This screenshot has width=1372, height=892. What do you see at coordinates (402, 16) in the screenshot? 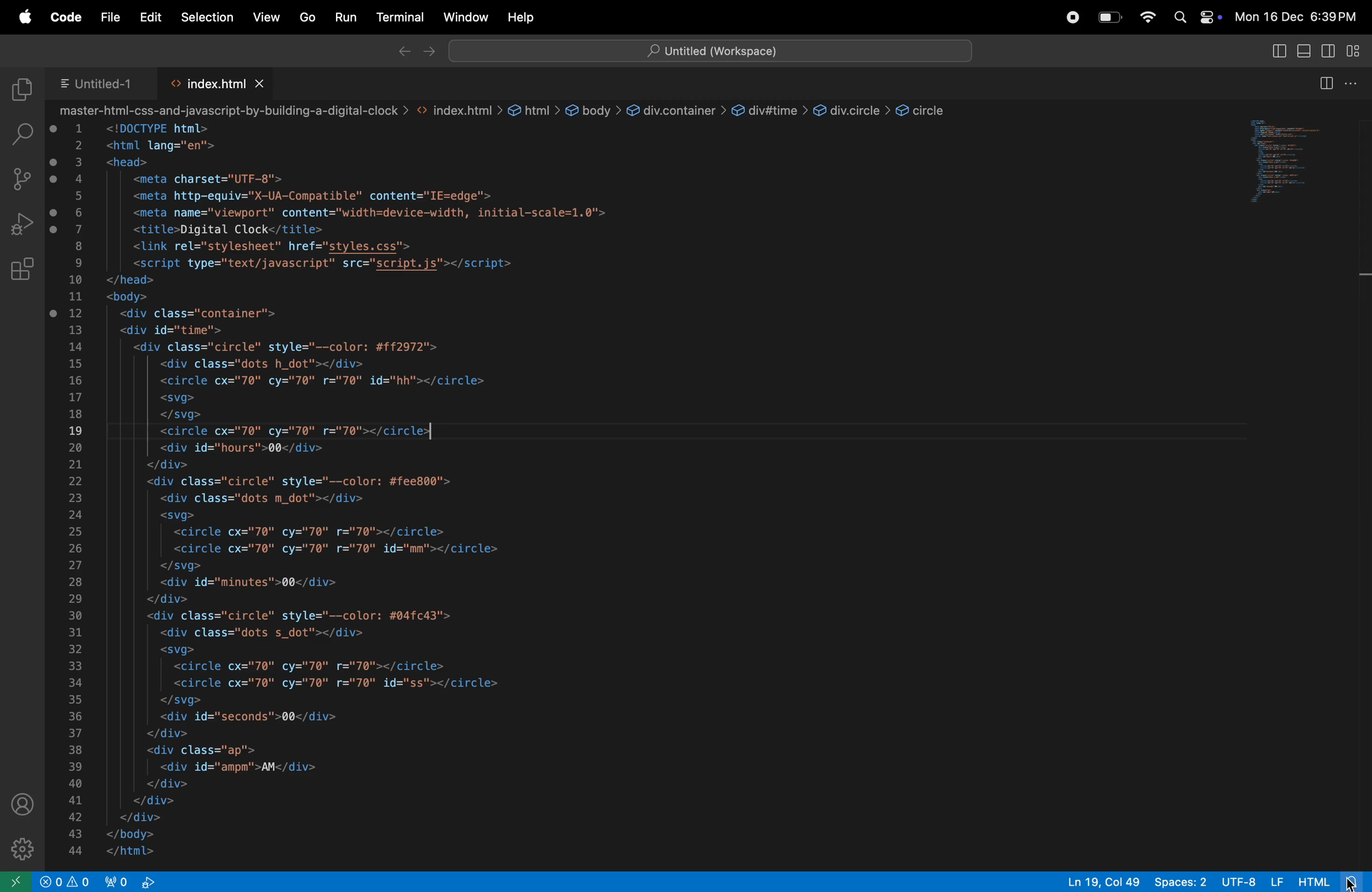
I see `terminal` at bounding box center [402, 16].